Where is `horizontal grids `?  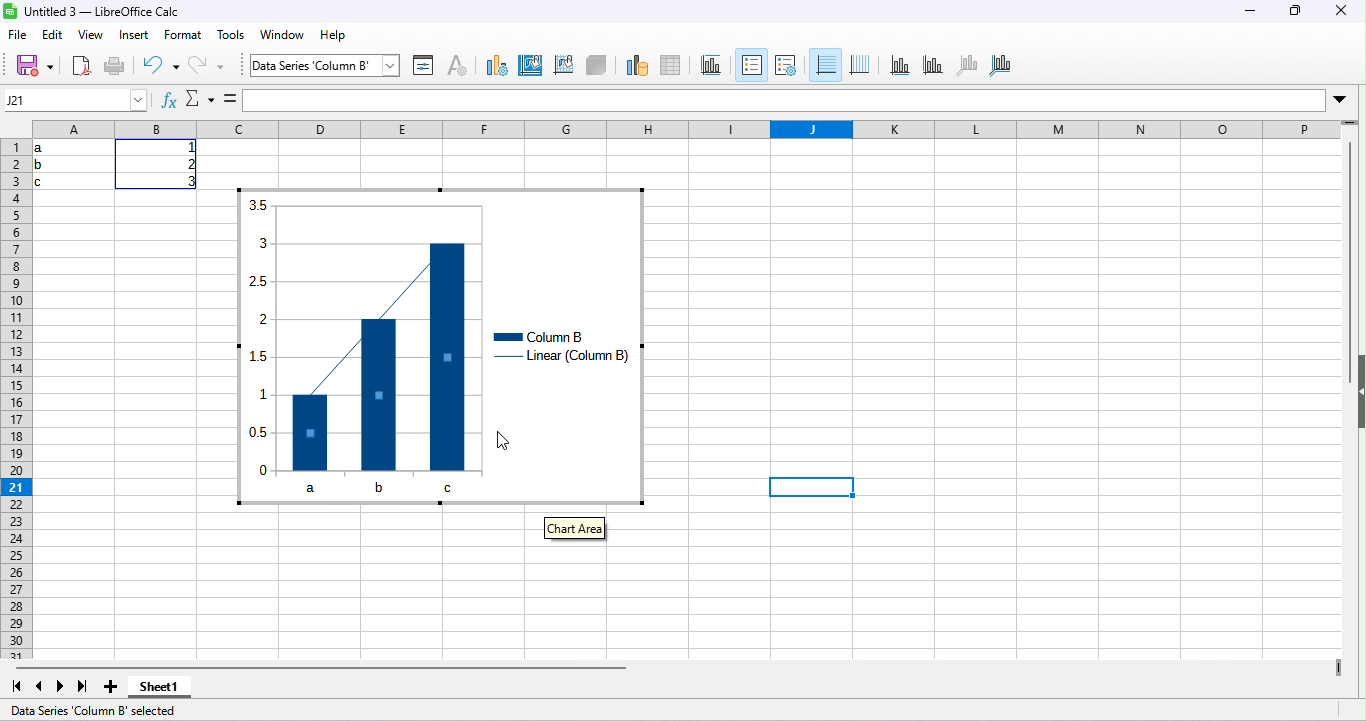
horizontal grids  is located at coordinates (825, 65).